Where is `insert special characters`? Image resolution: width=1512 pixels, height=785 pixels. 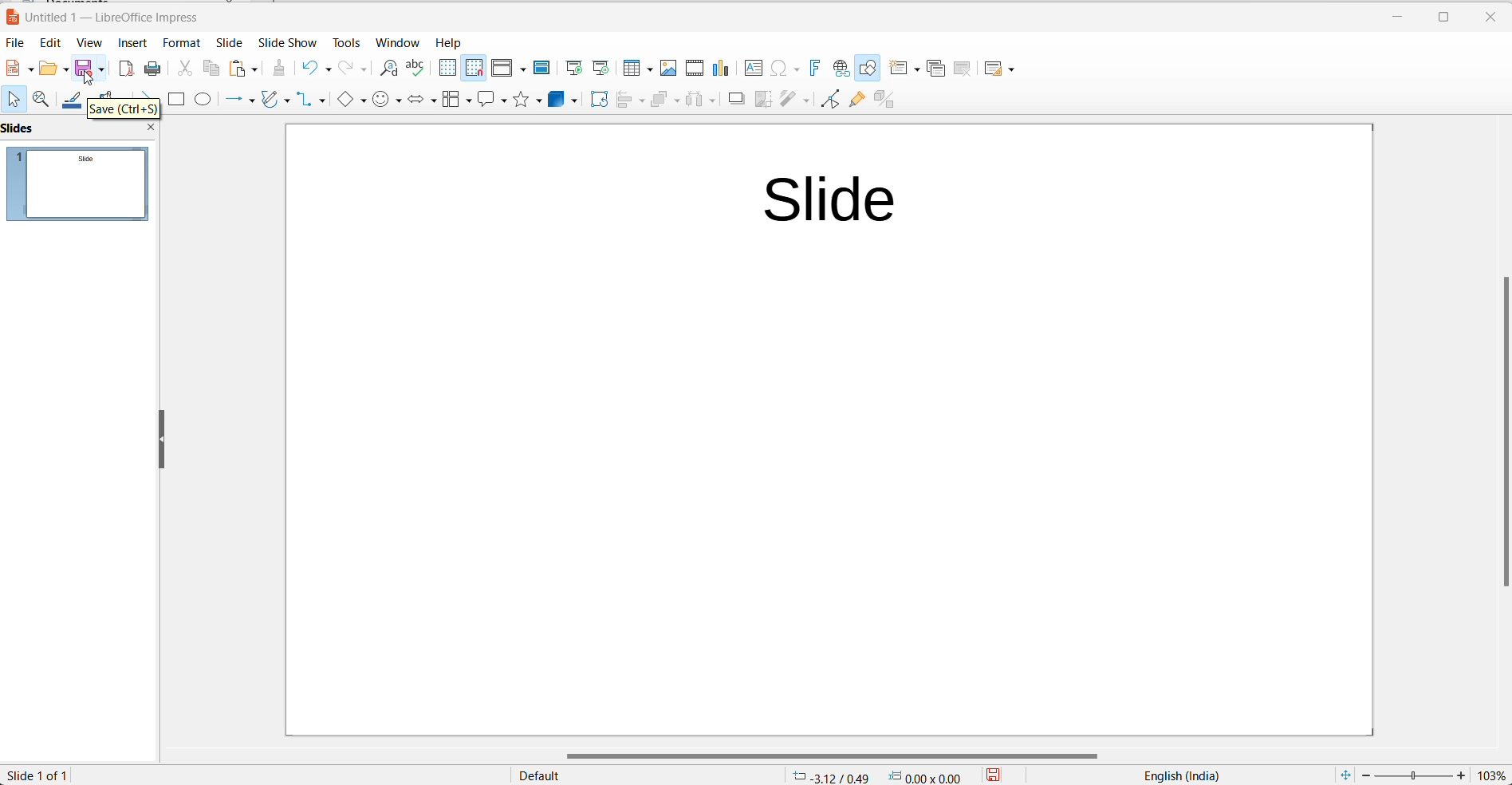
insert special characters is located at coordinates (783, 69).